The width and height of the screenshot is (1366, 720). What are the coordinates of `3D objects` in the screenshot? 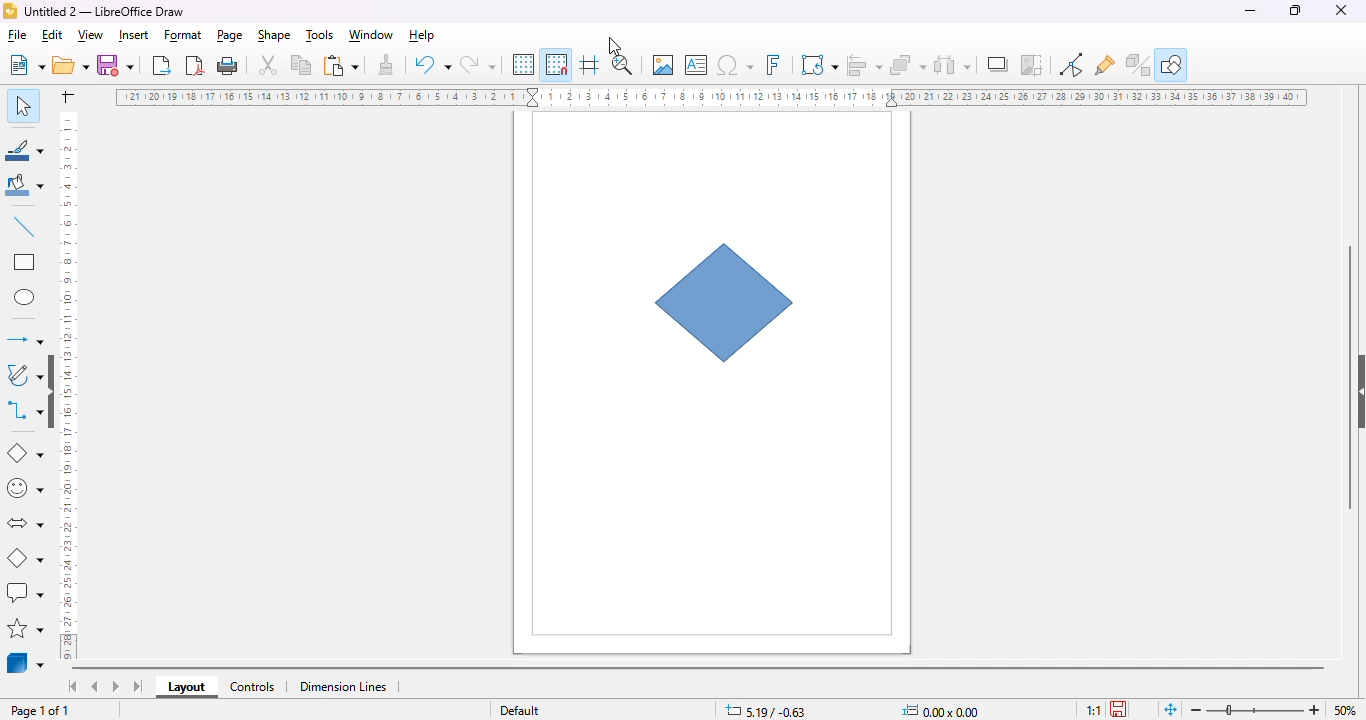 It's located at (26, 663).